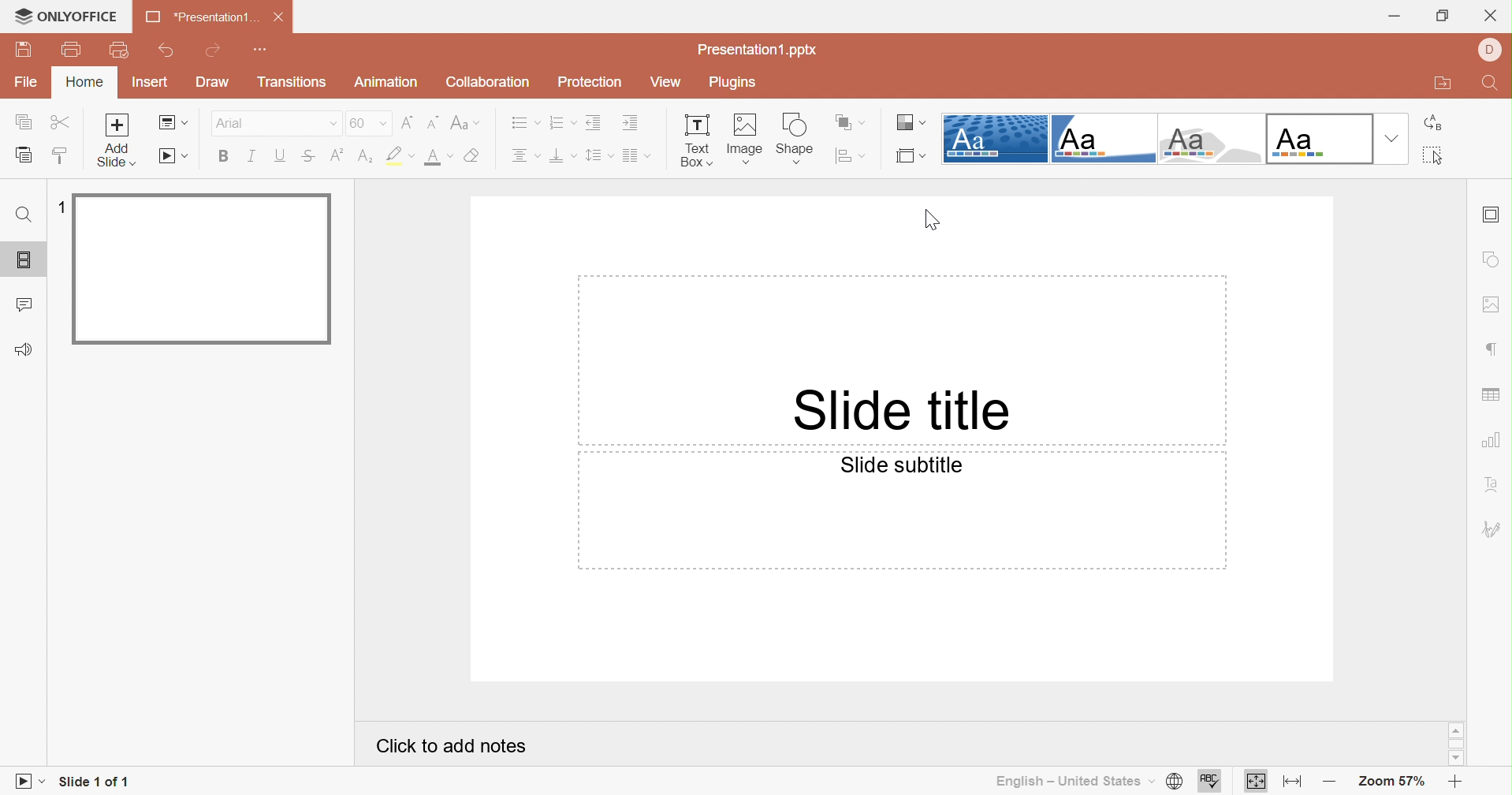 Image resolution: width=1512 pixels, height=795 pixels. I want to click on Italic, so click(252, 156).